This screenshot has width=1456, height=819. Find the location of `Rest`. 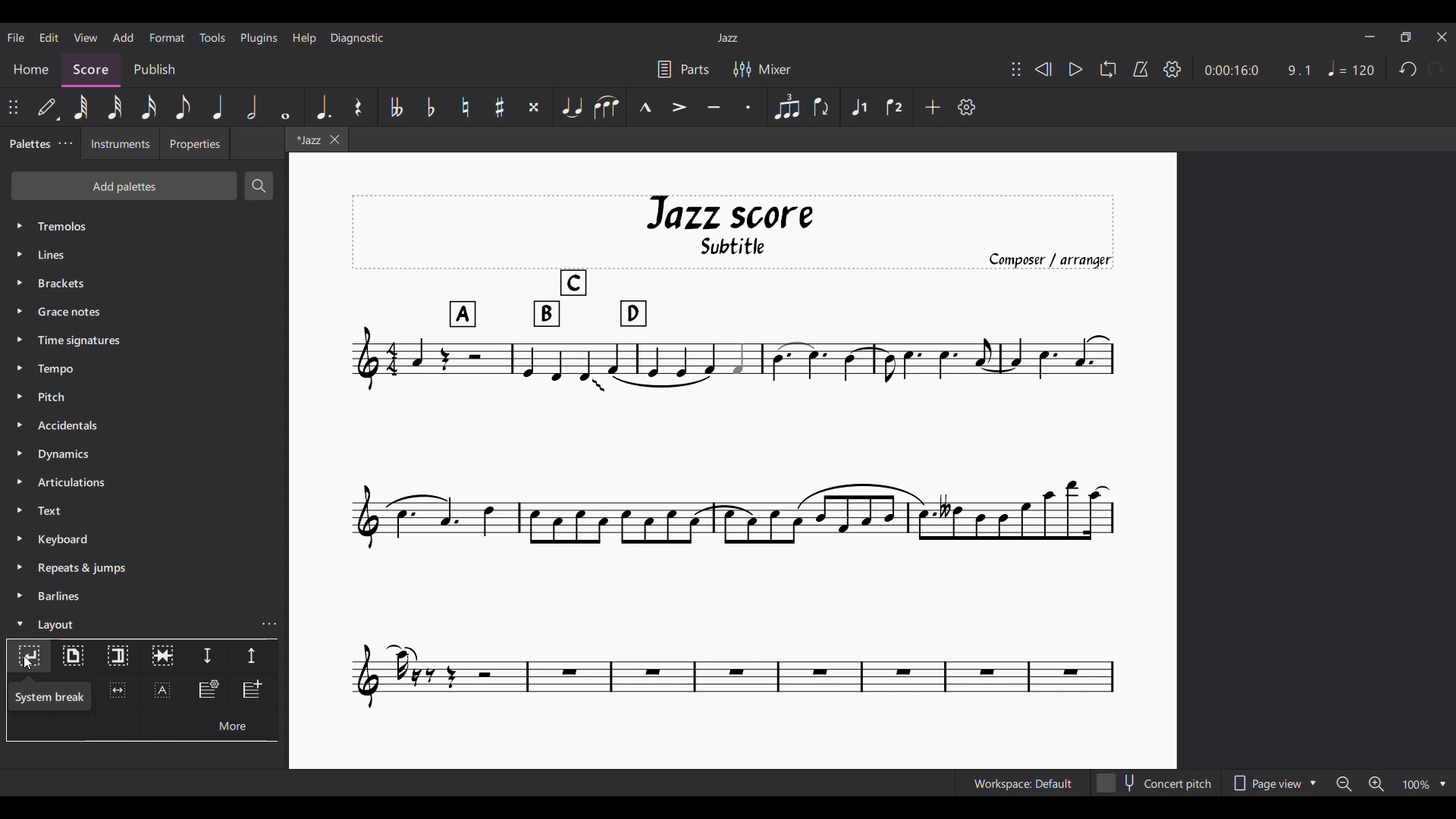

Rest is located at coordinates (359, 107).